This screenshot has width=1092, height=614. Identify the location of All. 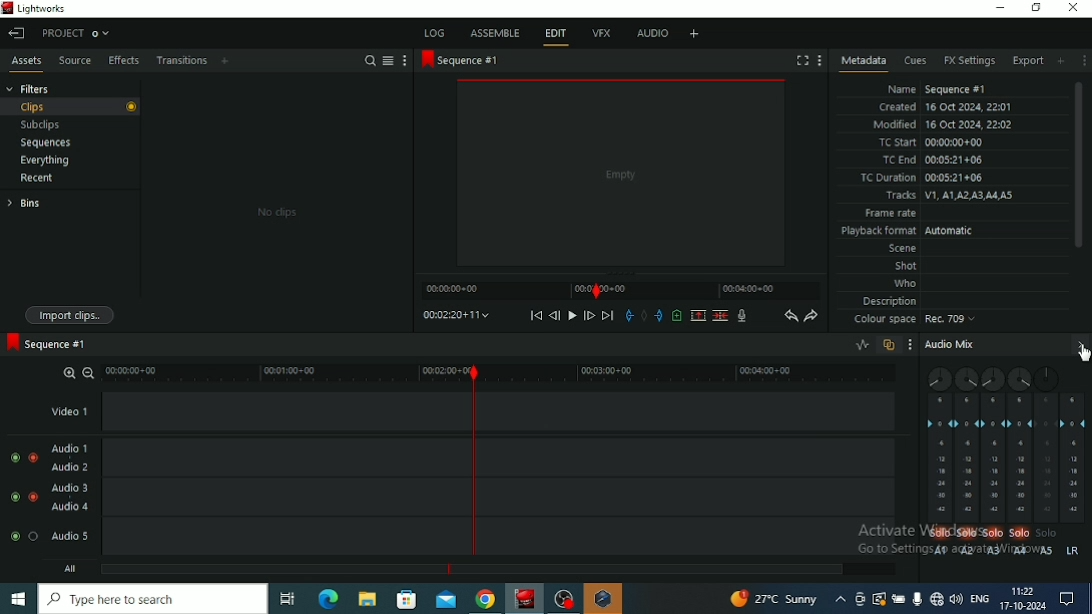
(549, 570).